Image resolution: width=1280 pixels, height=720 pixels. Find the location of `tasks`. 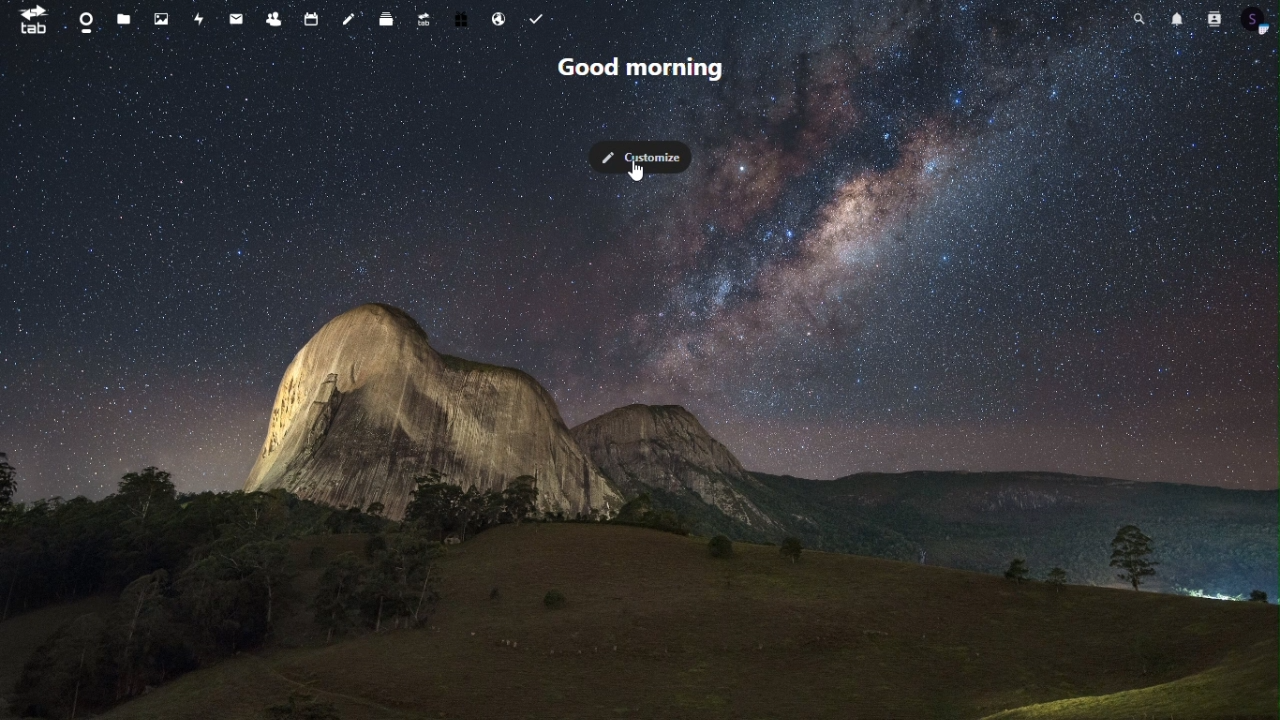

tasks is located at coordinates (535, 20).